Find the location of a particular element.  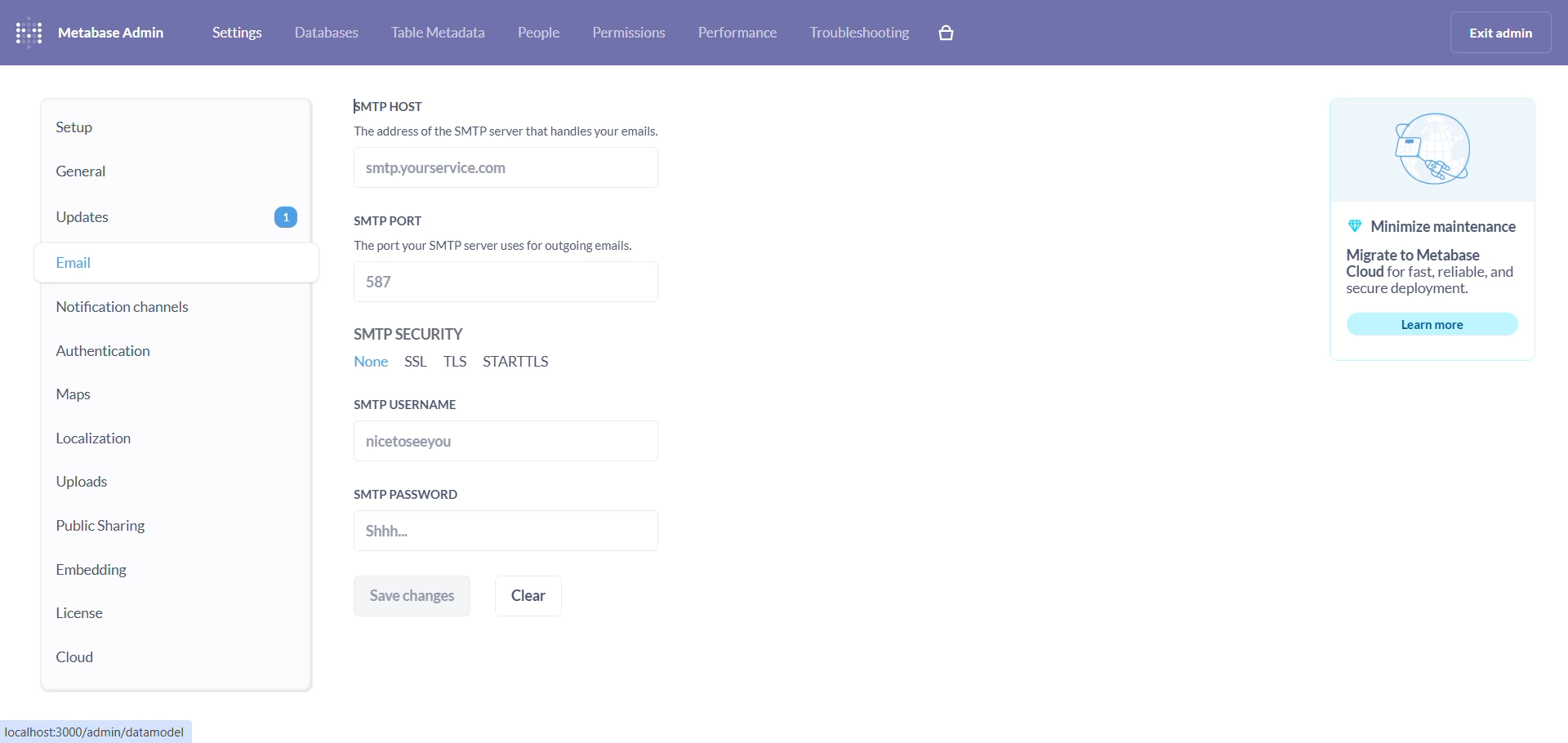

notification channel is located at coordinates (149, 309).